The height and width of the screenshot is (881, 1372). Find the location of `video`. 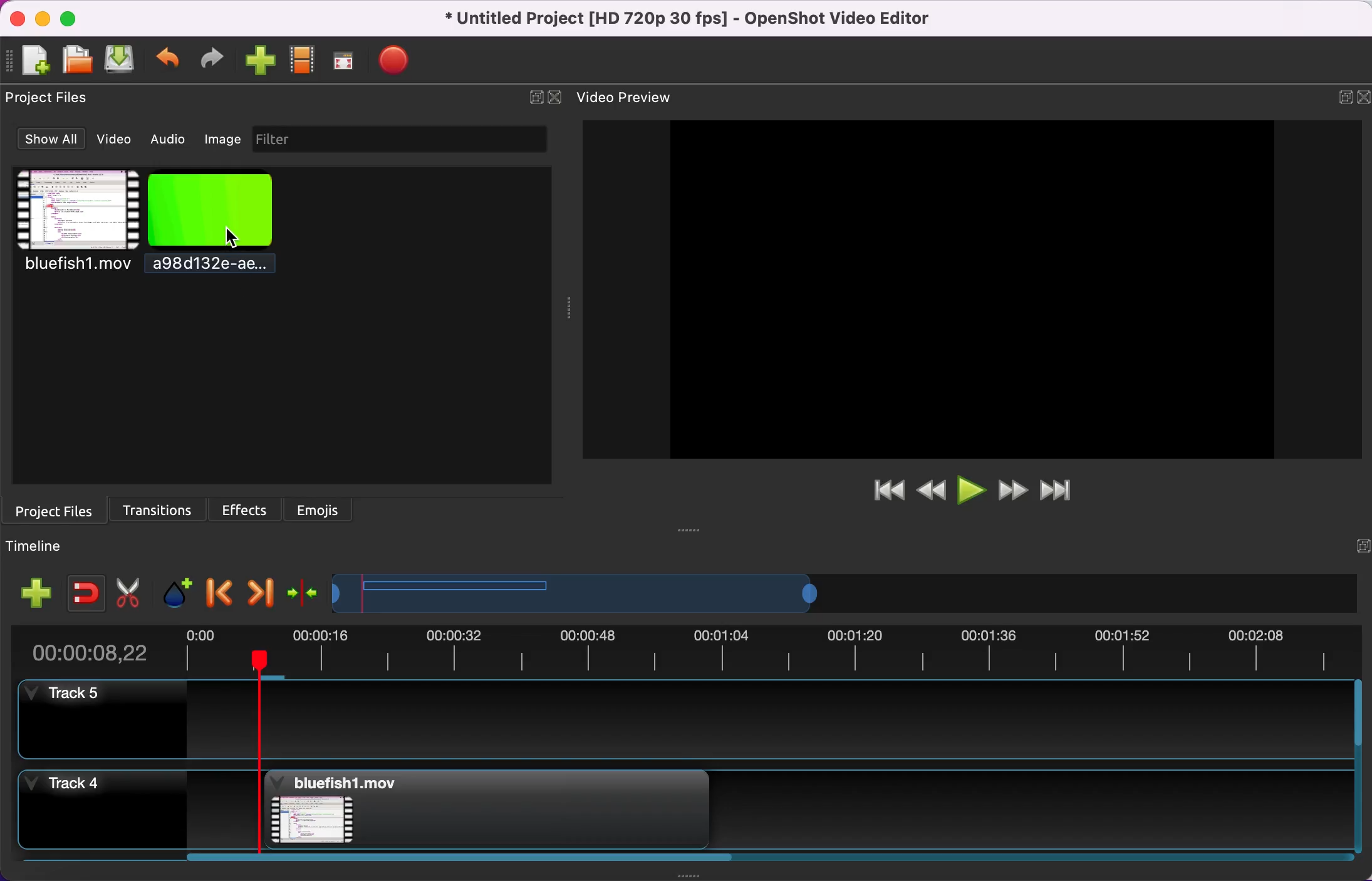

video is located at coordinates (74, 225).